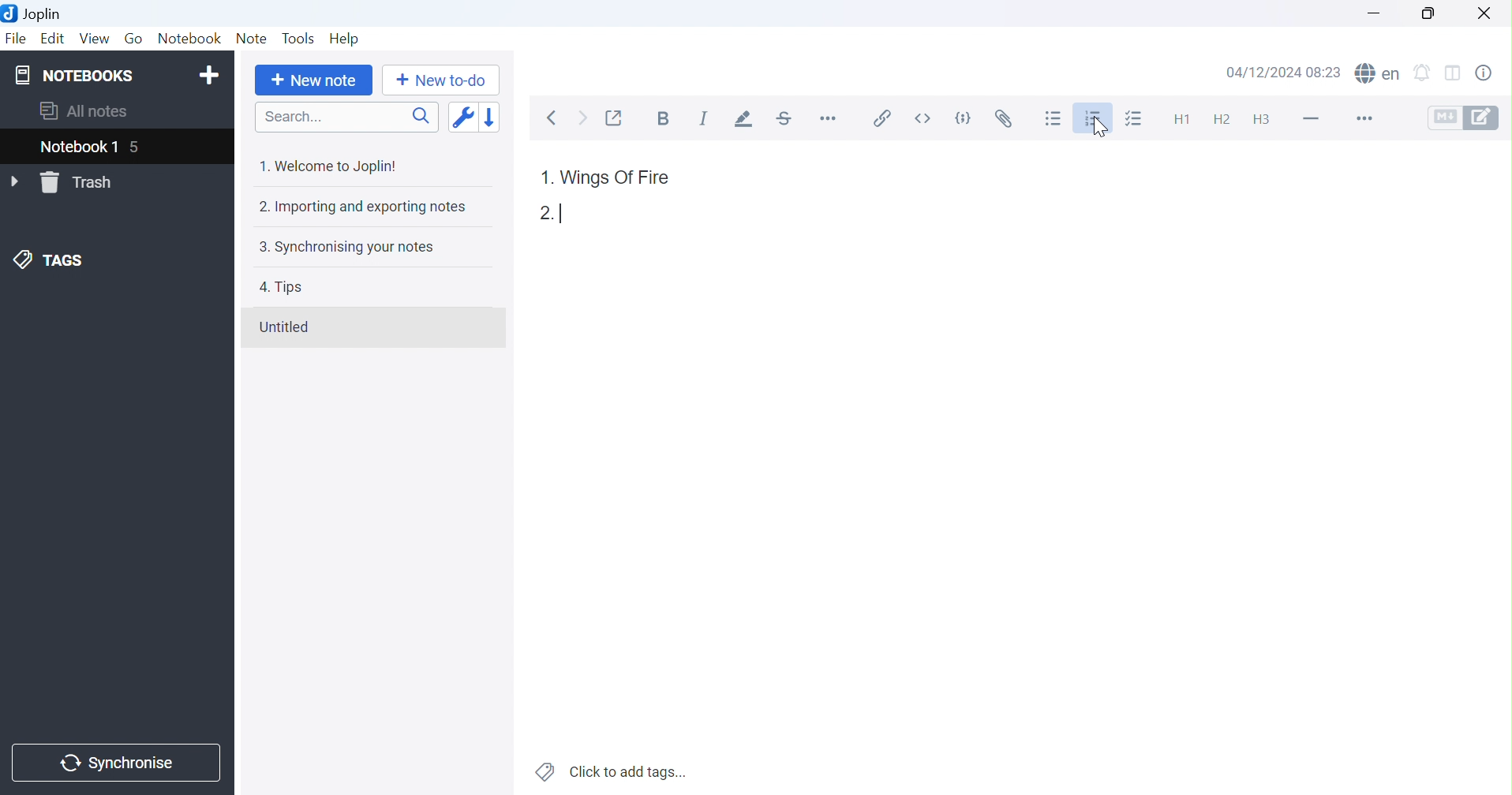  Describe the element at coordinates (542, 214) in the screenshot. I see `2.` at that location.